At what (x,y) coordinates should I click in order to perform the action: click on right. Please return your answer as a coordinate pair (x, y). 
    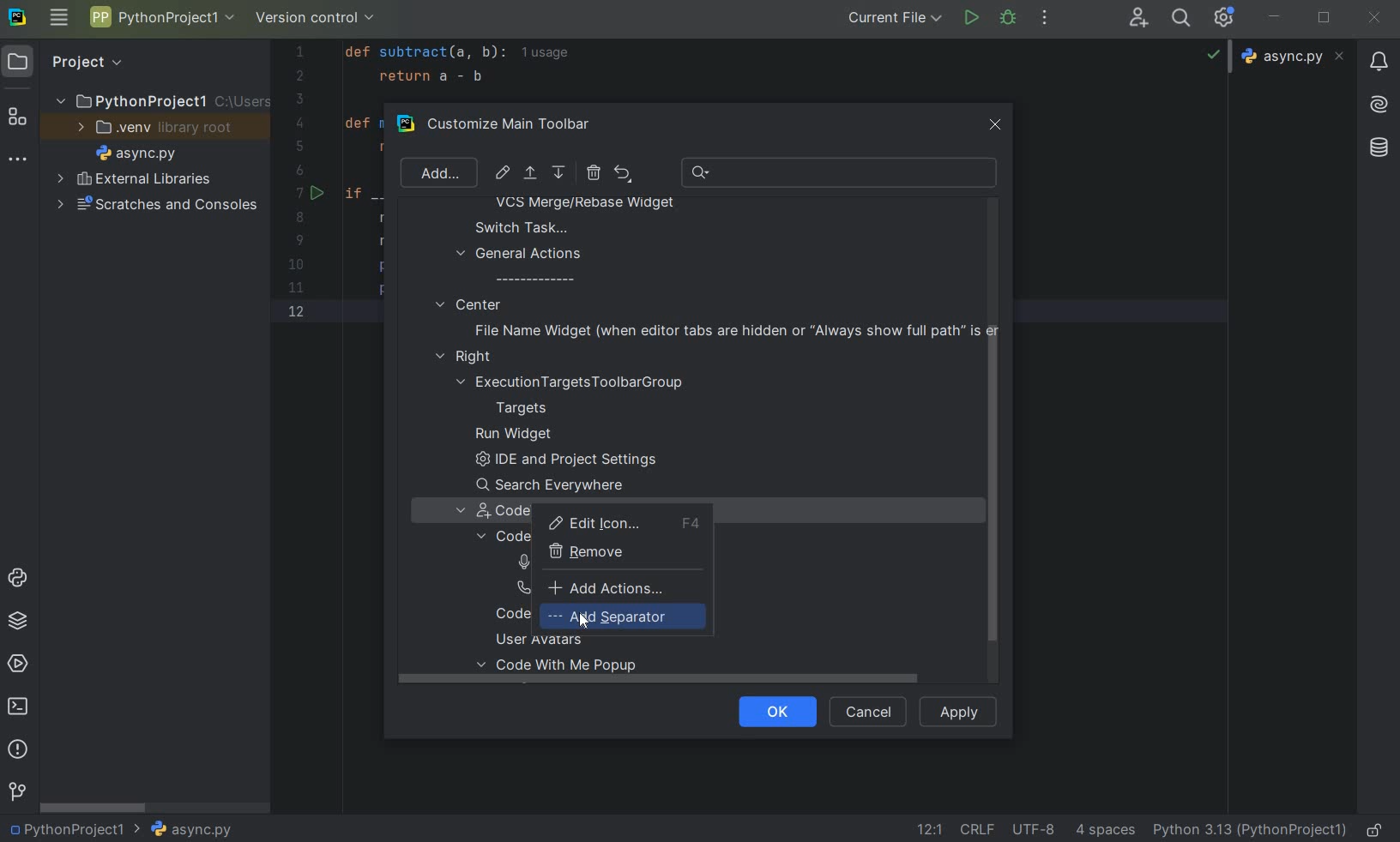
    Looking at the image, I should click on (468, 358).